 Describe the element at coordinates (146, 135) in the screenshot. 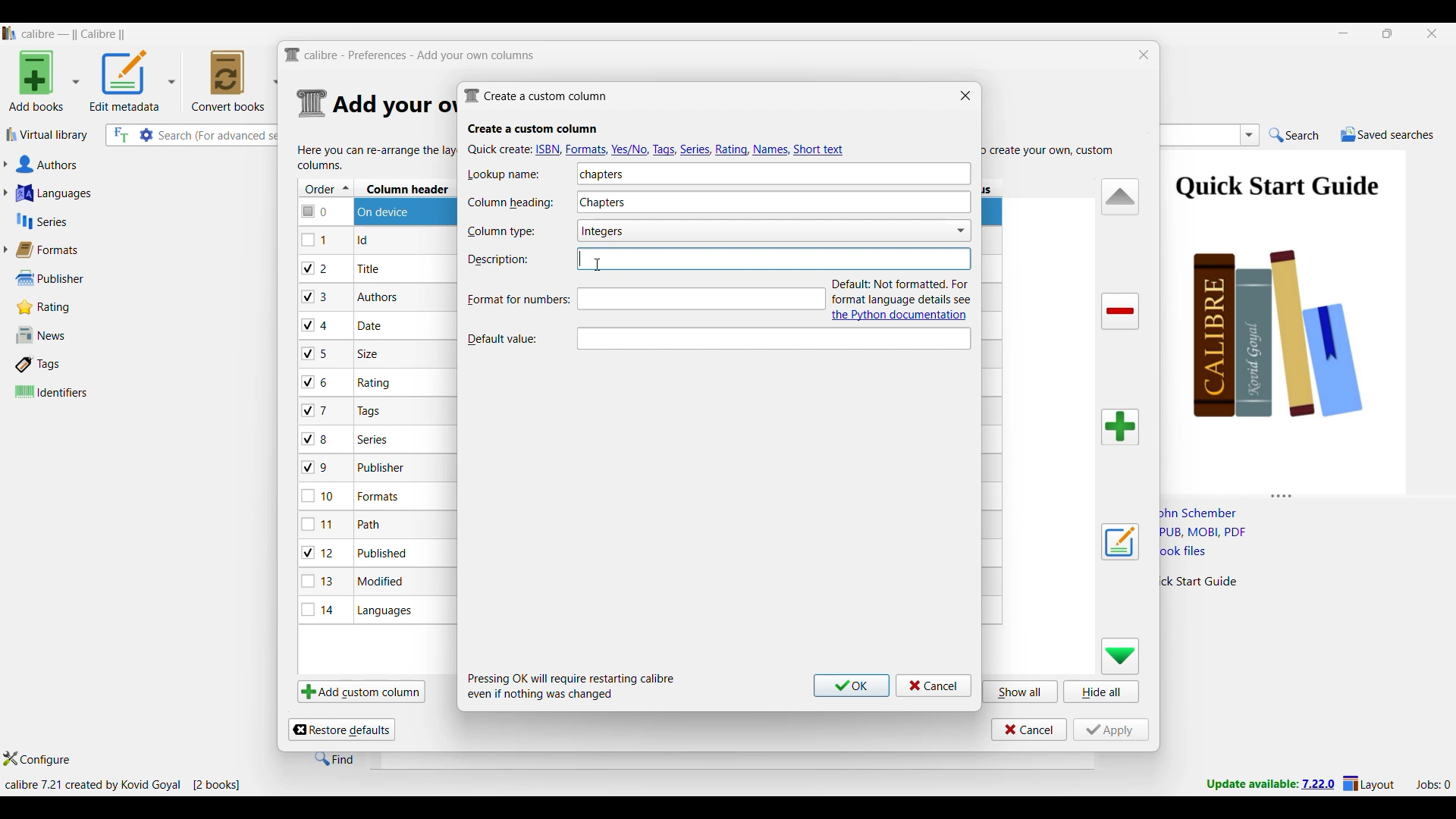

I see `Advanced search` at that location.